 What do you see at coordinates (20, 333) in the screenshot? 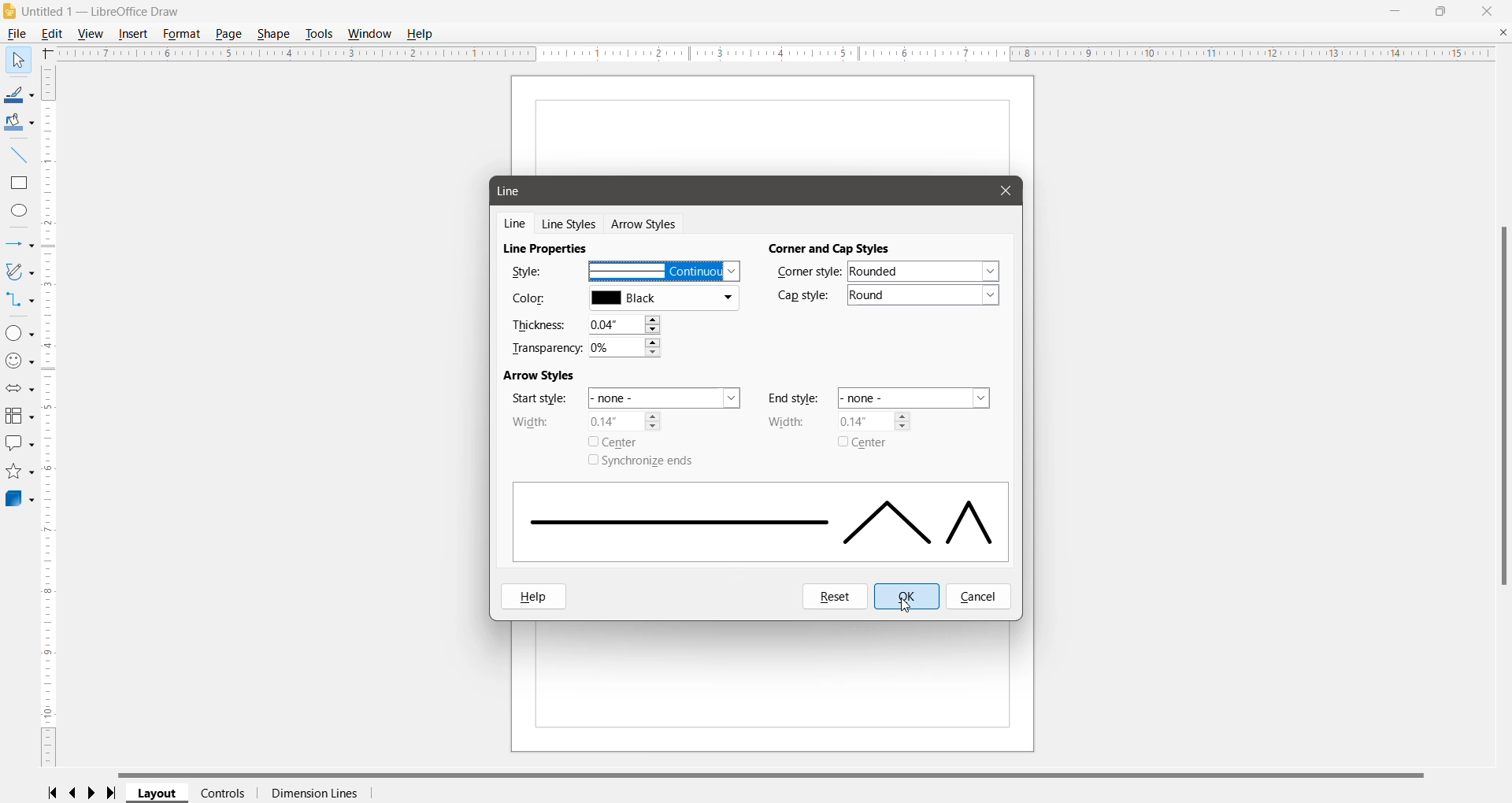
I see `Basic Shapes` at bounding box center [20, 333].